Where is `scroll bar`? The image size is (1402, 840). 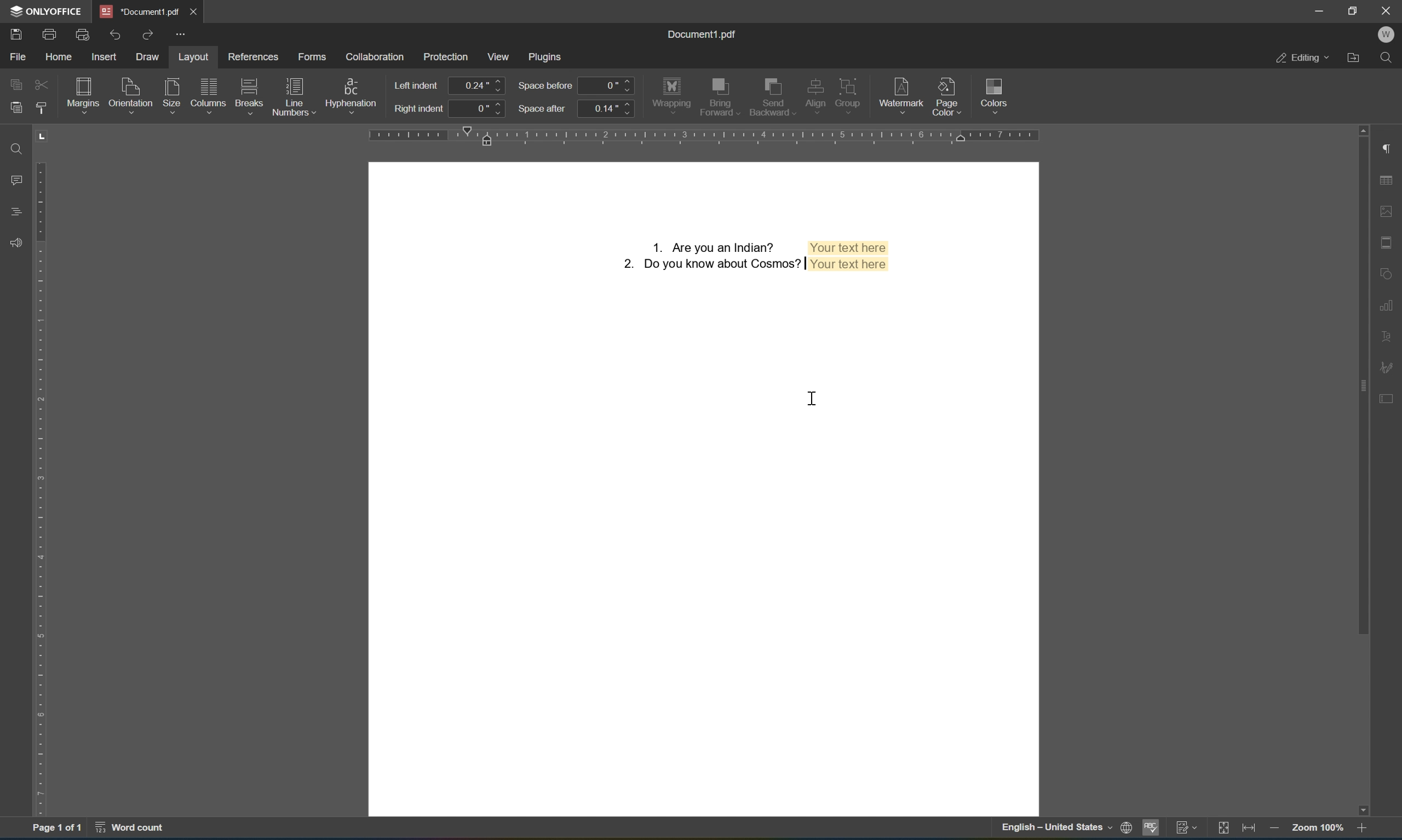 scroll bar is located at coordinates (1365, 380).